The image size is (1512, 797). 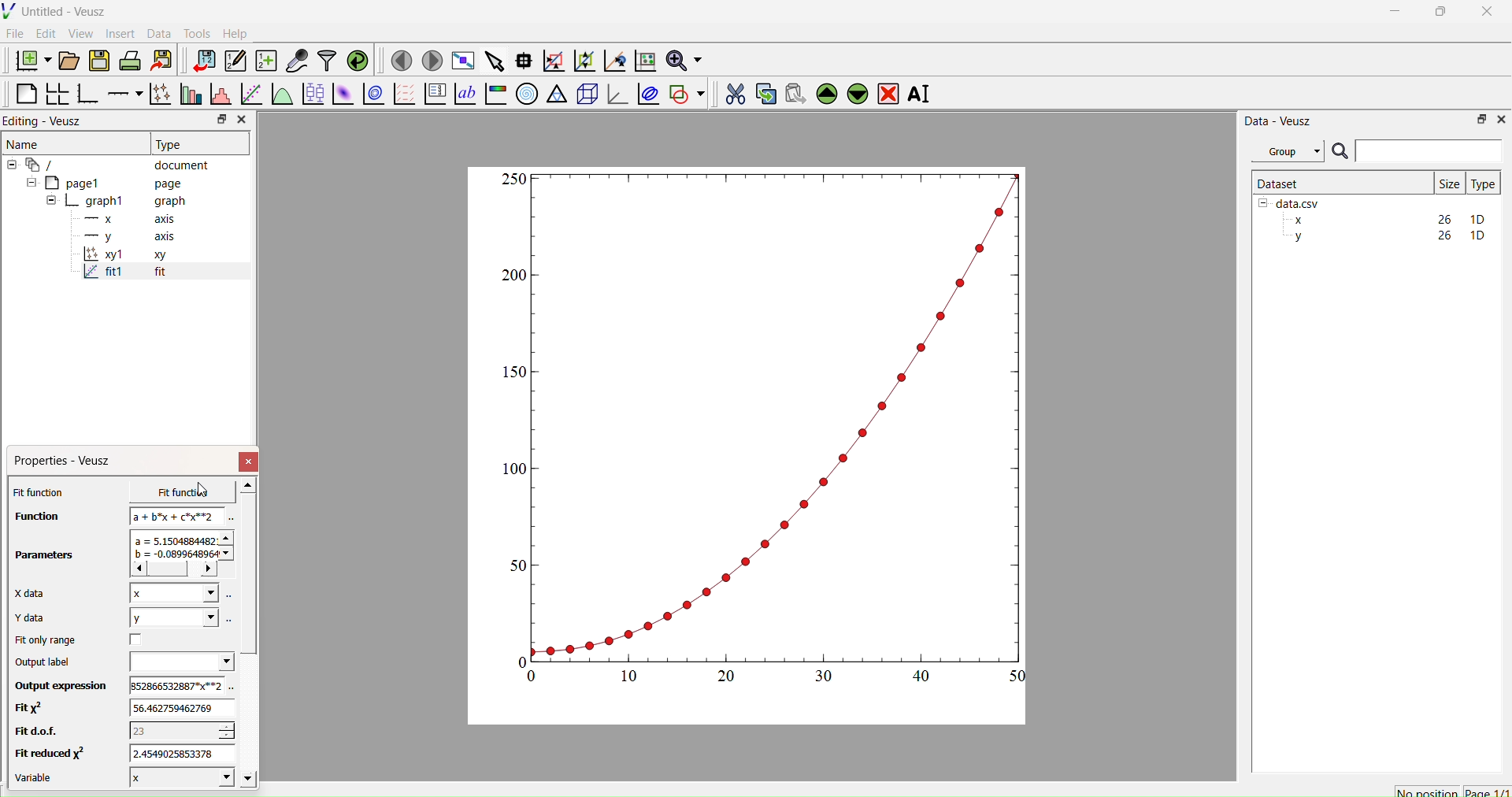 What do you see at coordinates (766, 427) in the screenshot?
I see `Graph` at bounding box center [766, 427].